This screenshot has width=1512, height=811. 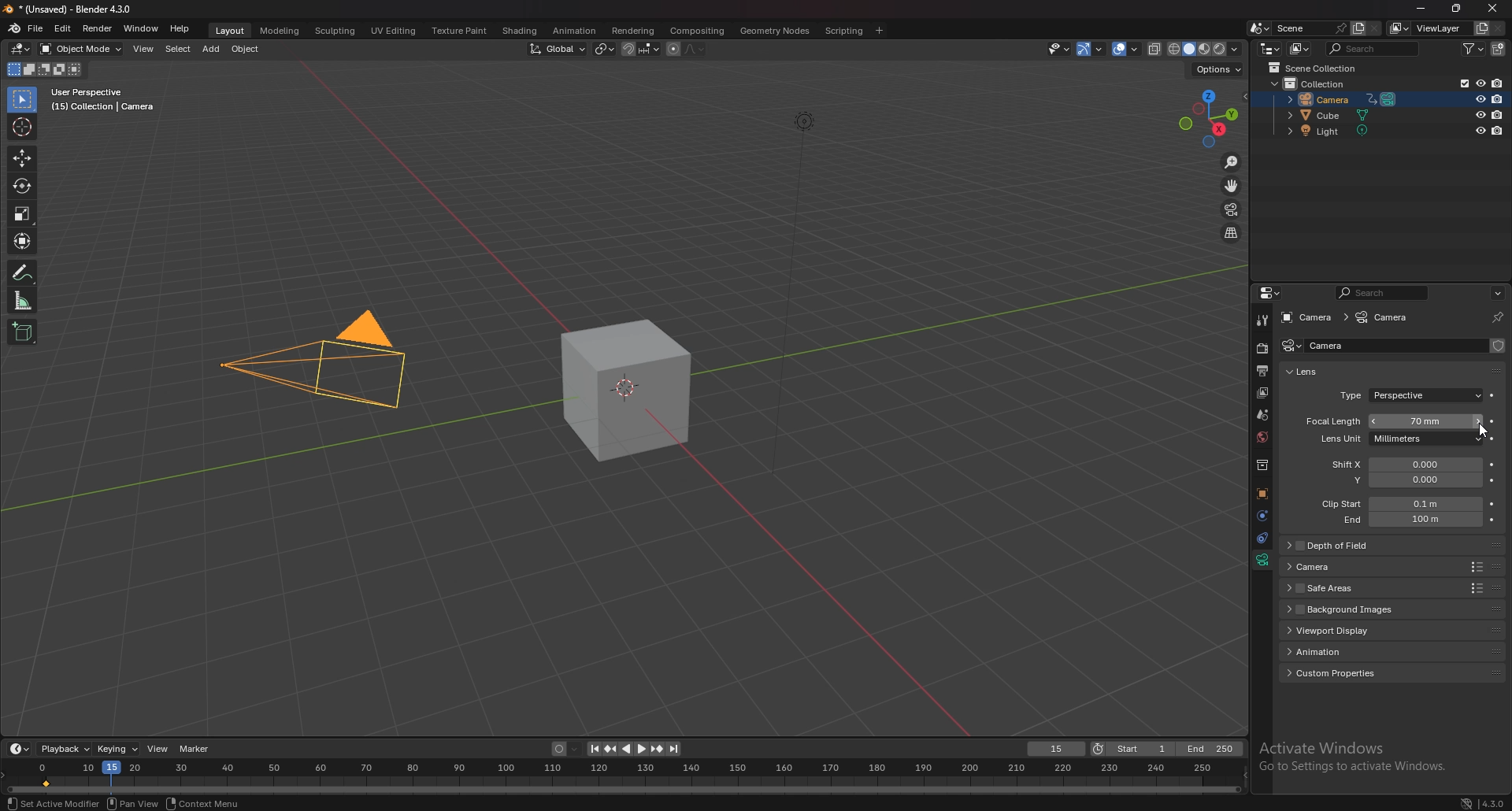 What do you see at coordinates (1480, 434) in the screenshot?
I see `Cursor` at bounding box center [1480, 434].